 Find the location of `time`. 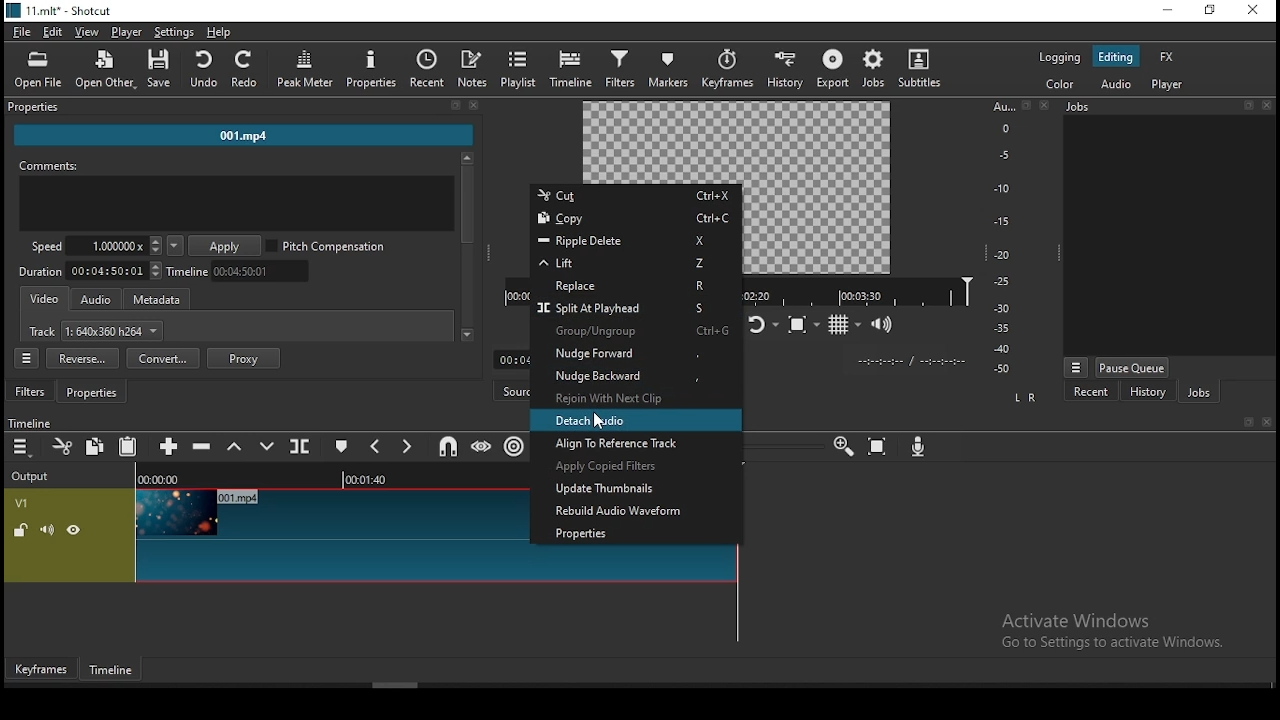

time is located at coordinates (909, 362).